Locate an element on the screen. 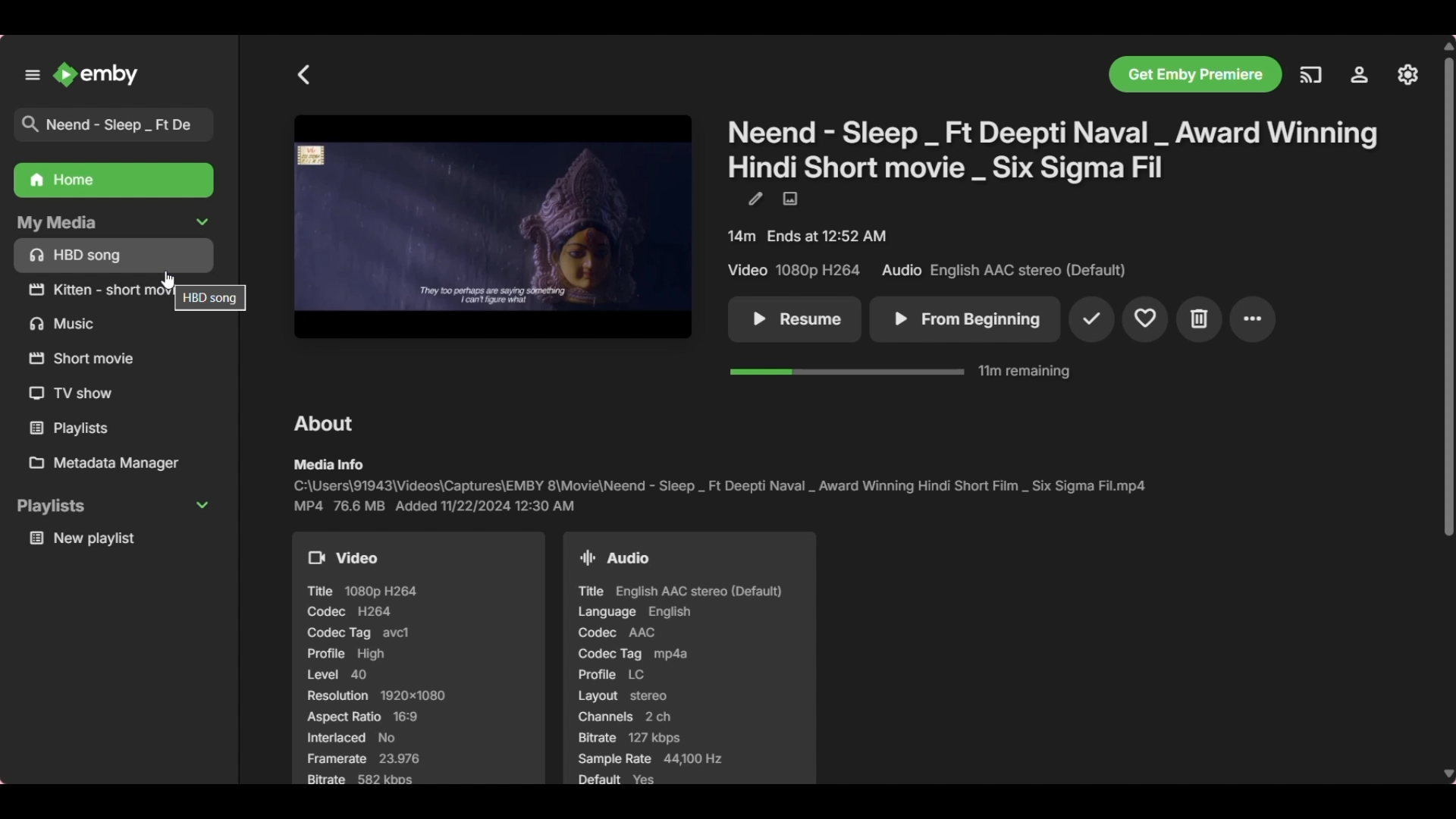  Unpin left panel is located at coordinates (33, 74).